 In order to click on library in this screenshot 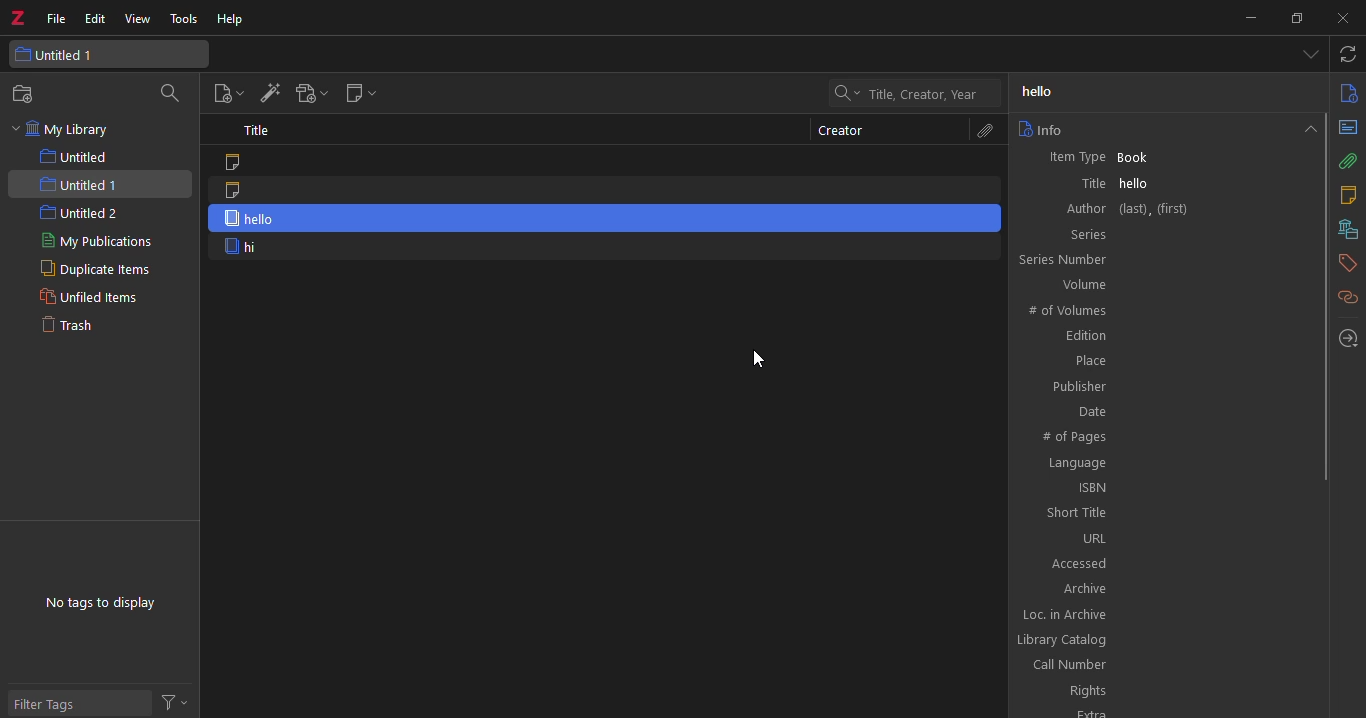, I will do `click(1345, 229)`.